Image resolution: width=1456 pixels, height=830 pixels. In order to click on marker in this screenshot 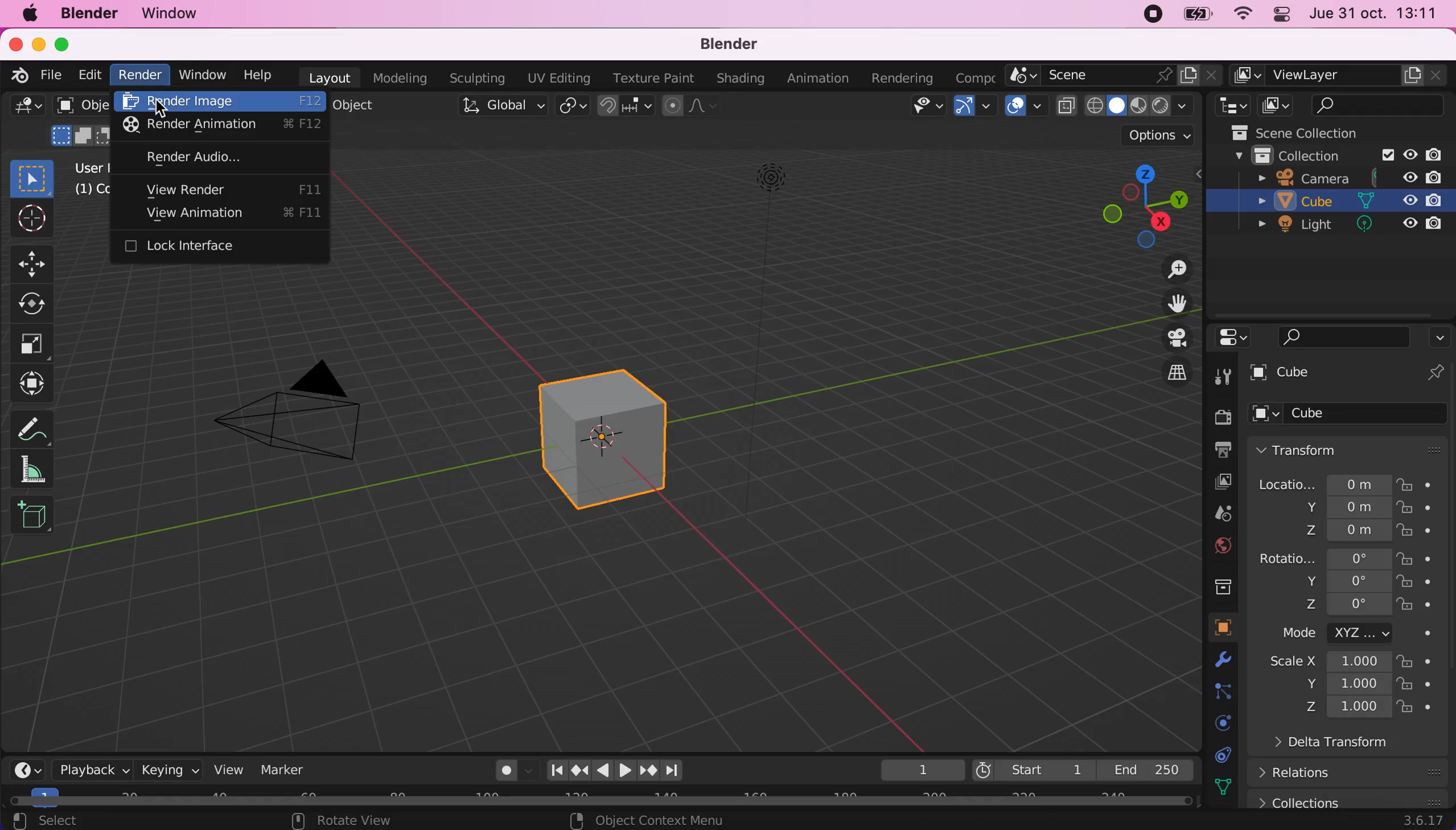, I will do `click(291, 771)`.